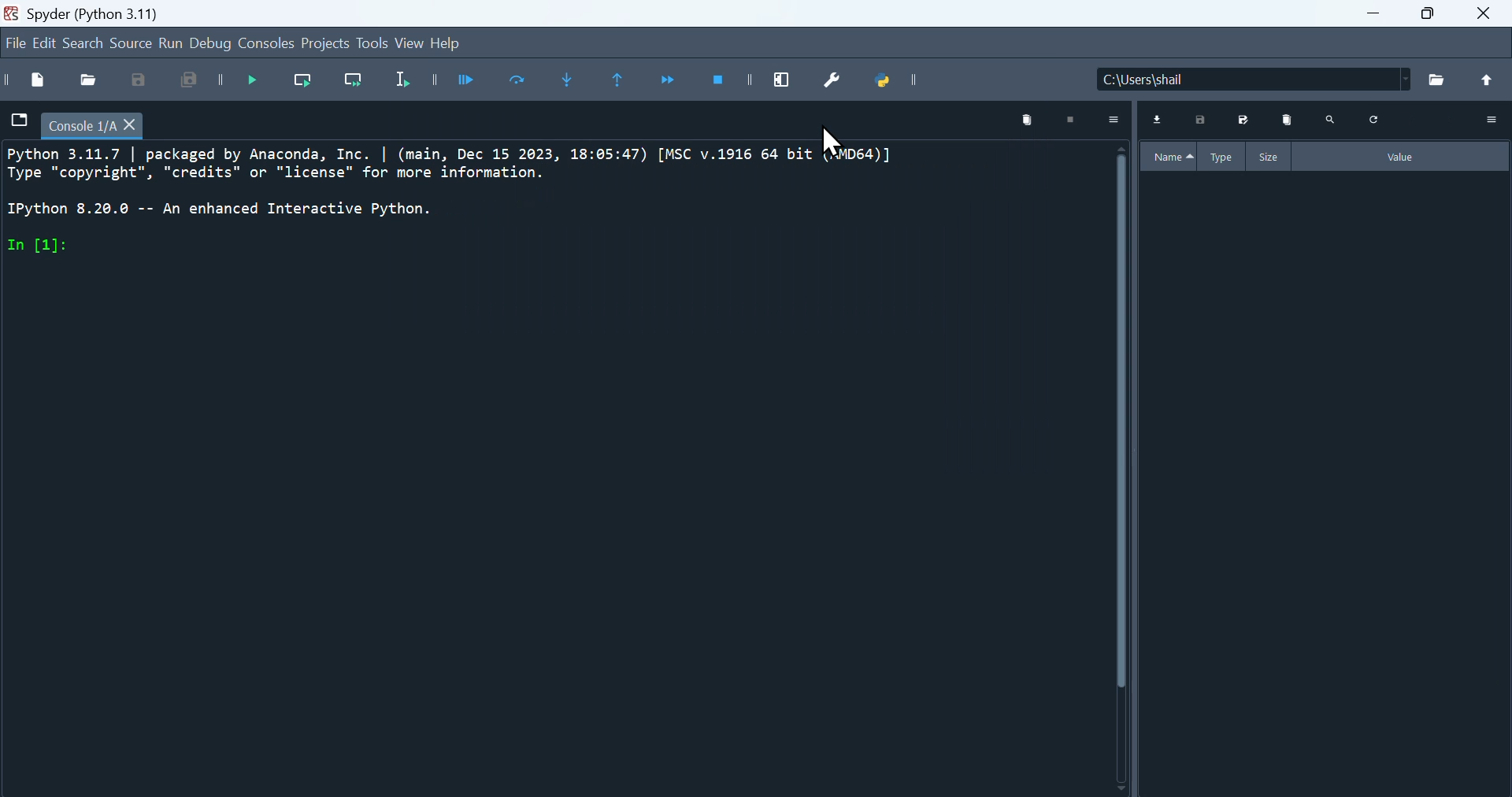 The width and height of the screenshot is (1512, 797). Describe the element at coordinates (46, 43) in the screenshot. I see `Edit` at that location.